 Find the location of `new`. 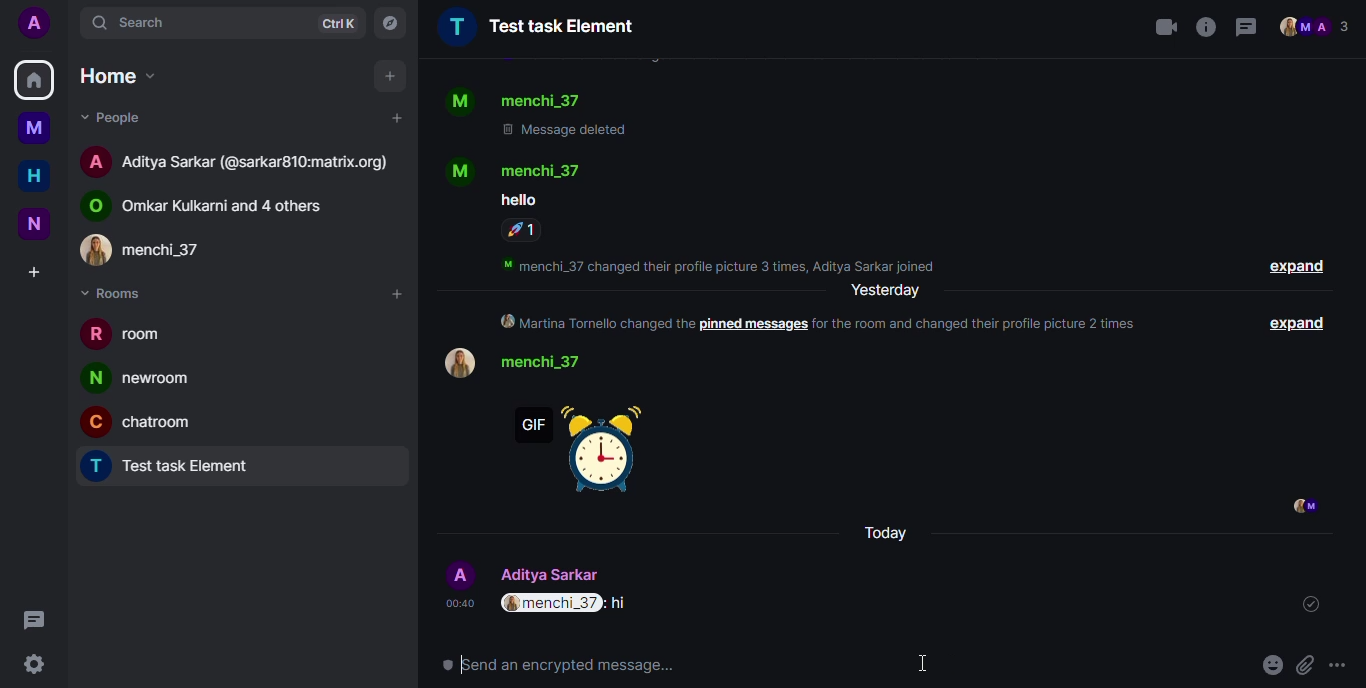

new is located at coordinates (35, 222).